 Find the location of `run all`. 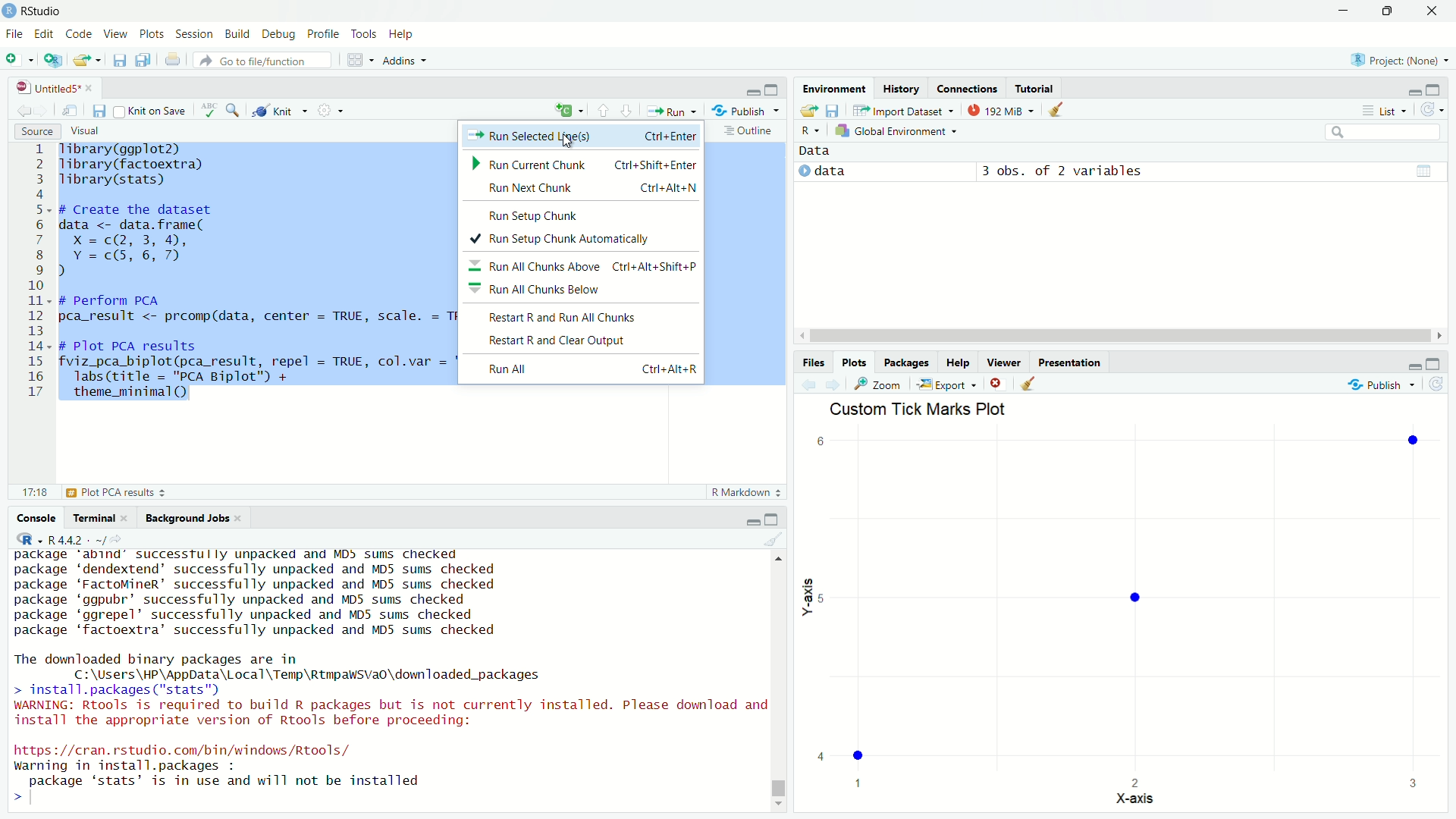

run all is located at coordinates (585, 369).